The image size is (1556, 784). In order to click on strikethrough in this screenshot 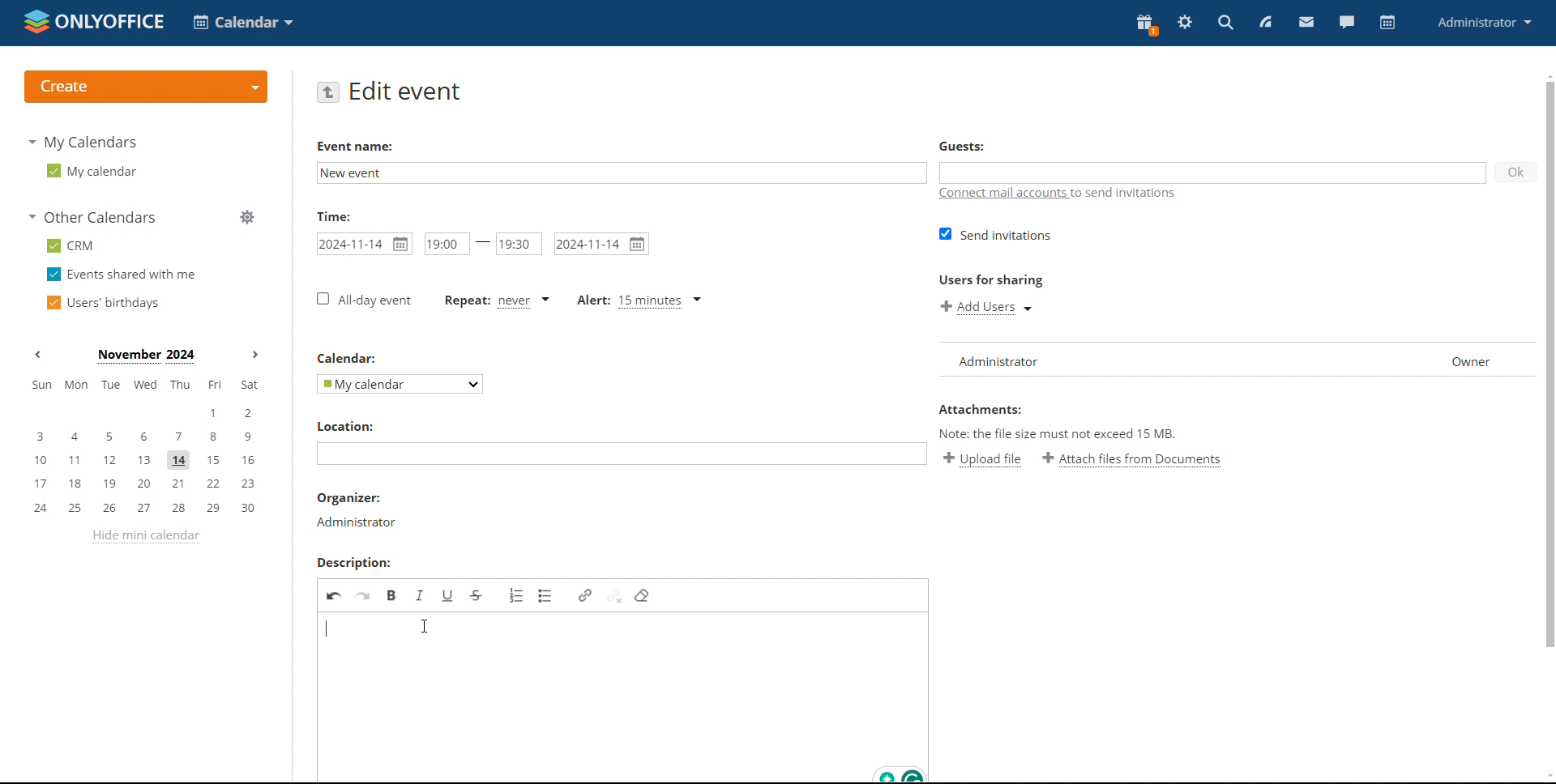, I will do `click(476, 595)`.